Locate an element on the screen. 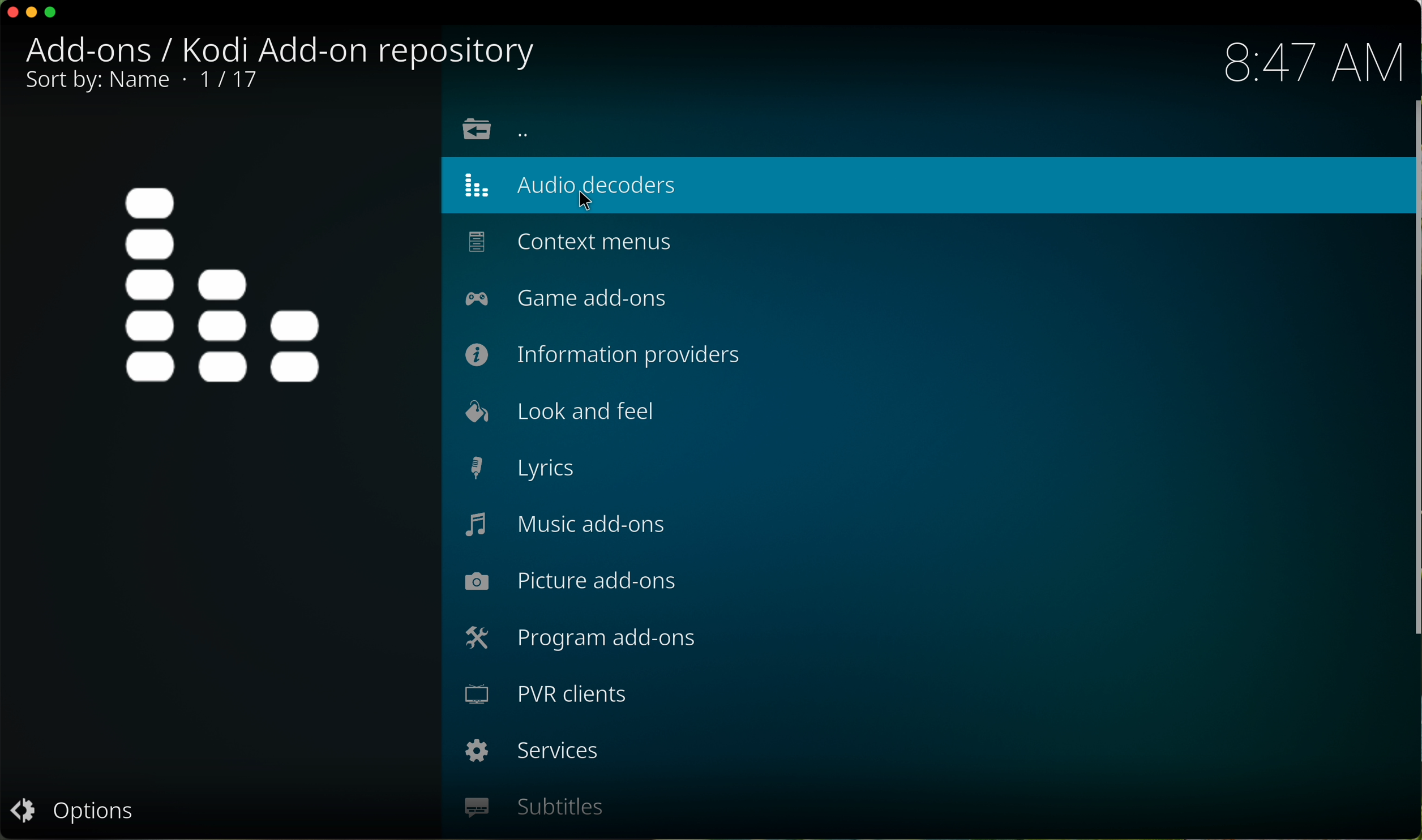 The width and height of the screenshot is (1422, 840). maximize is located at coordinates (55, 15).